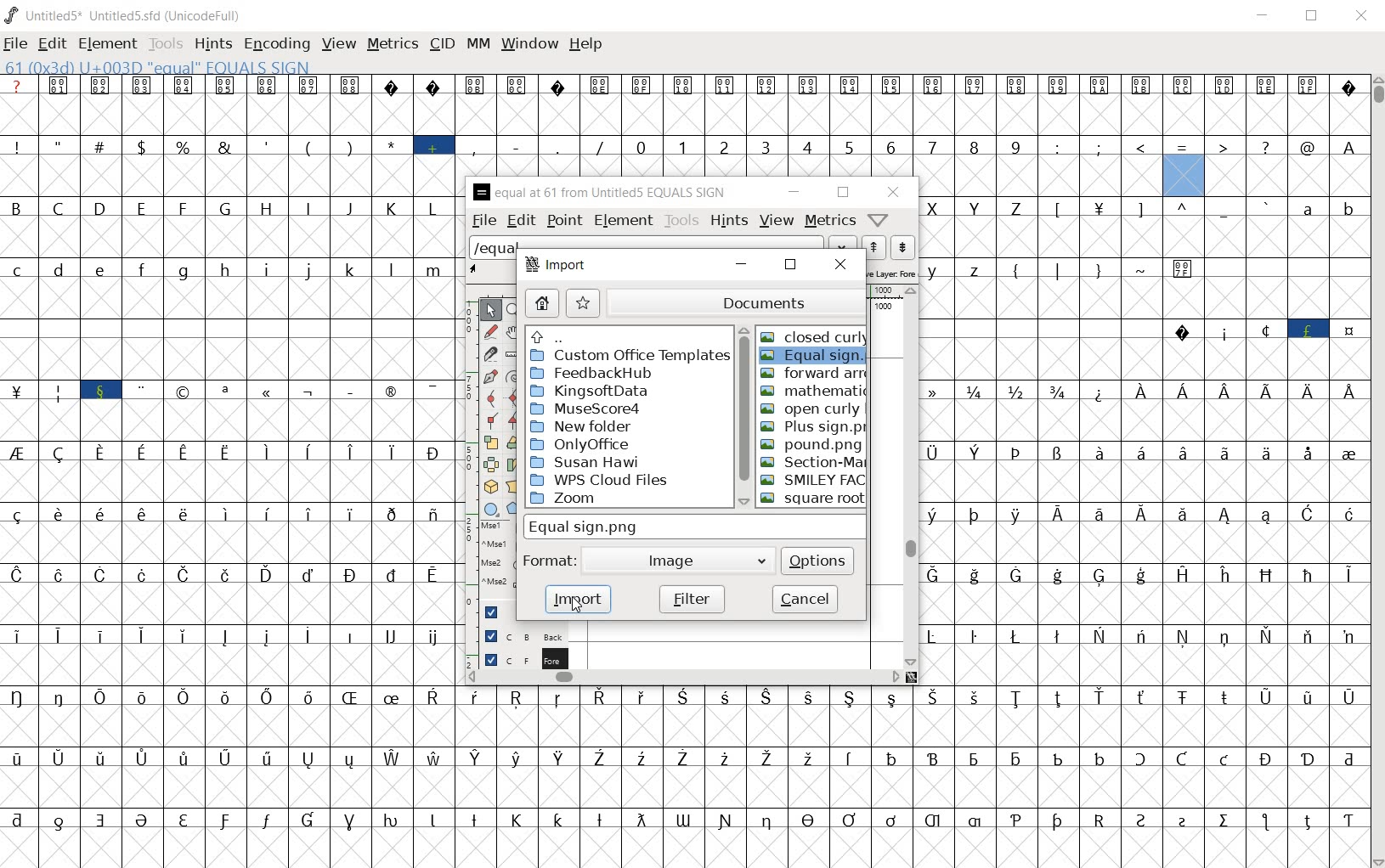  Describe the element at coordinates (811, 444) in the screenshot. I see `POUND.PNG` at that location.